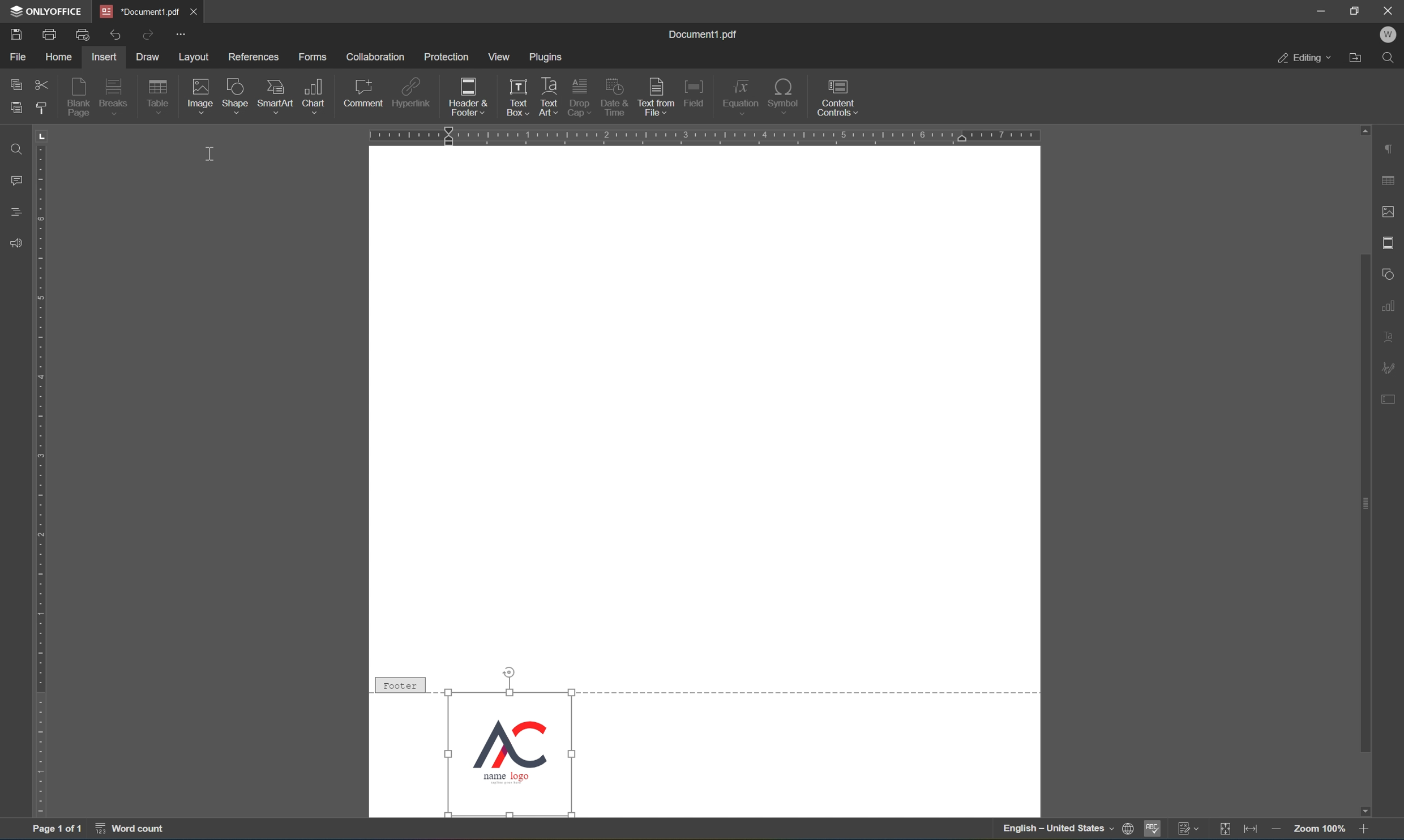  I want to click on text art settings, so click(1391, 337).